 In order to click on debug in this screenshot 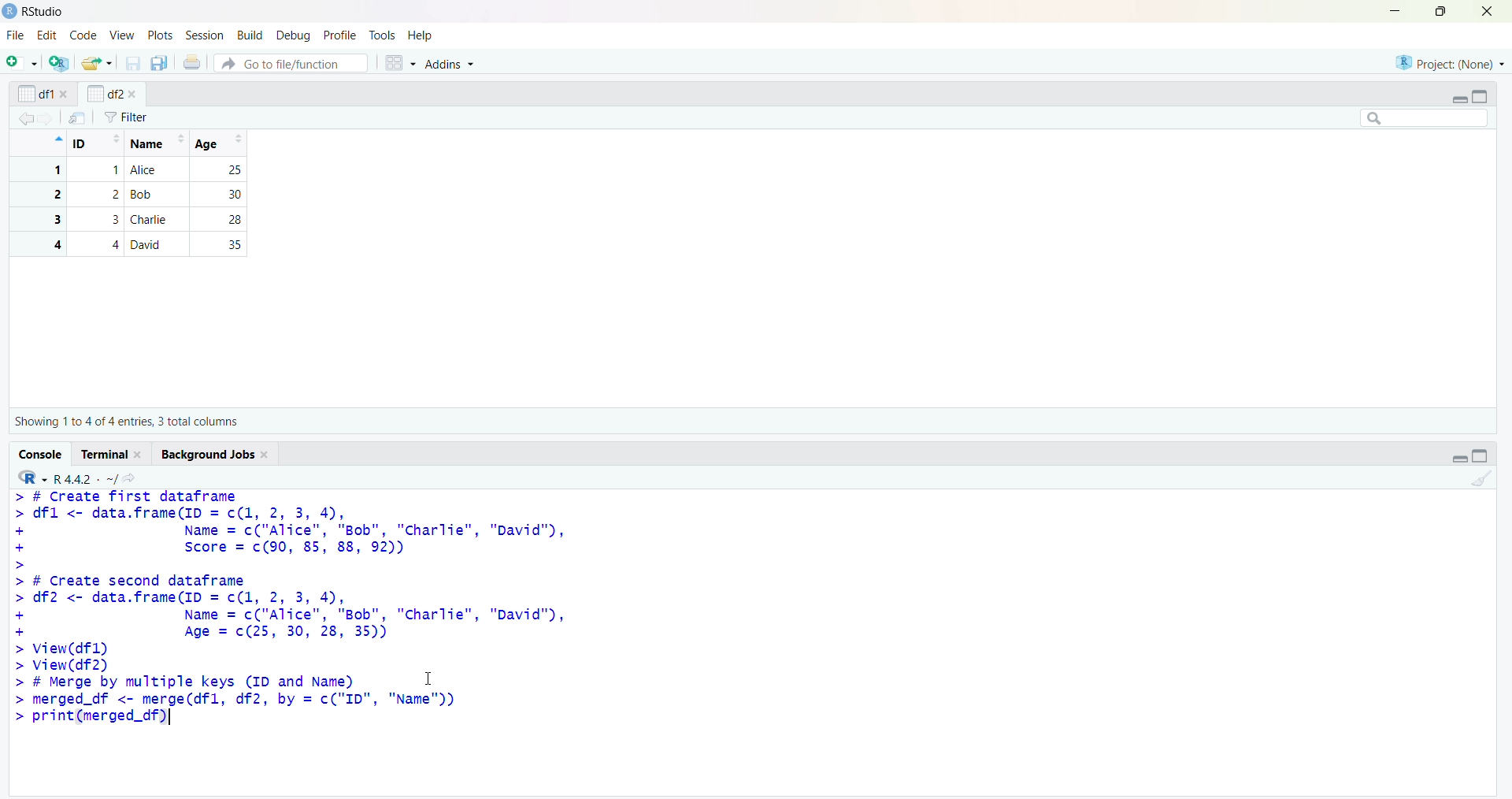, I will do `click(295, 36)`.